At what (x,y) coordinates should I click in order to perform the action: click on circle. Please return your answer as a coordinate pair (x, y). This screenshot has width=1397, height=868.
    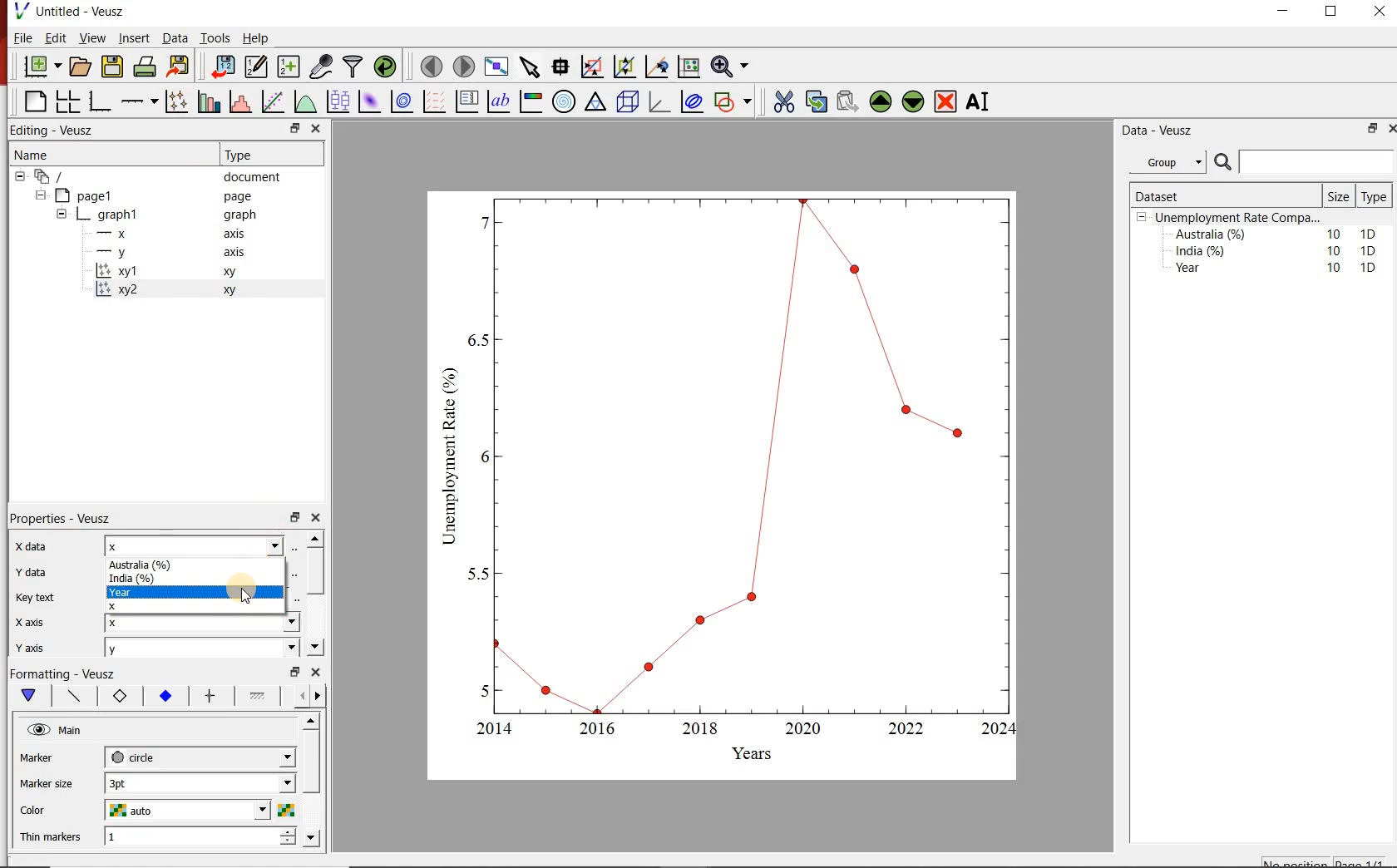
    Looking at the image, I should click on (198, 755).